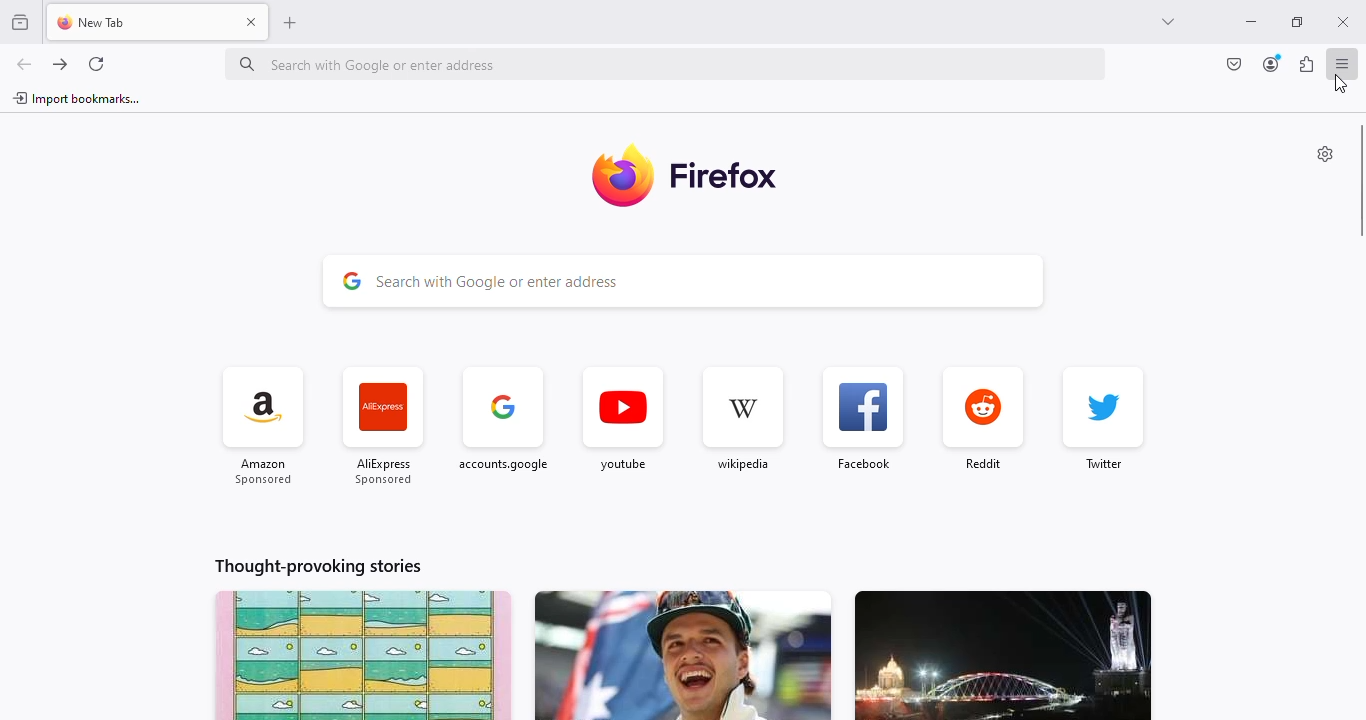 This screenshot has height=720, width=1366. I want to click on amazon, so click(264, 427).